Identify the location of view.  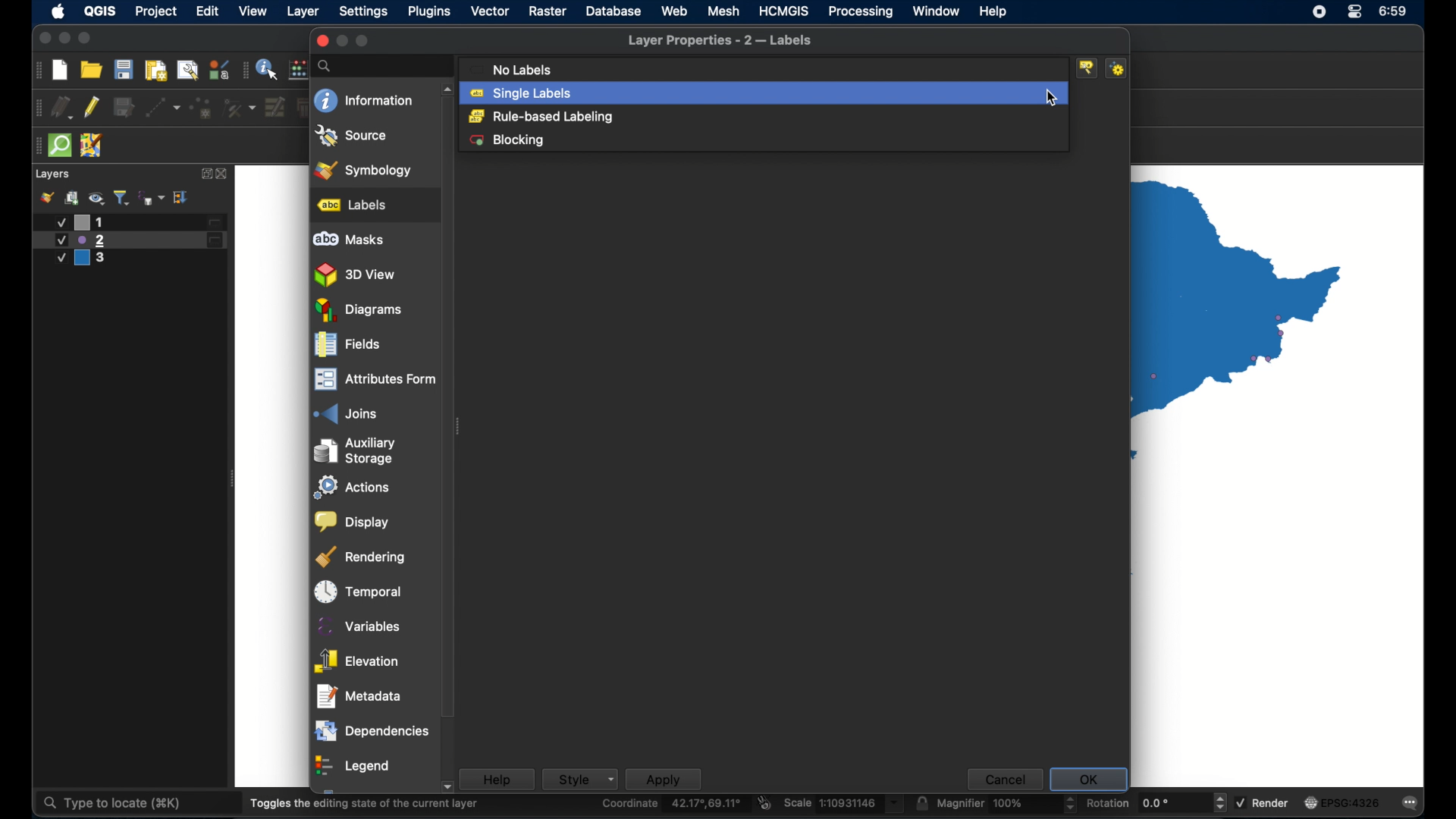
(254, 11).